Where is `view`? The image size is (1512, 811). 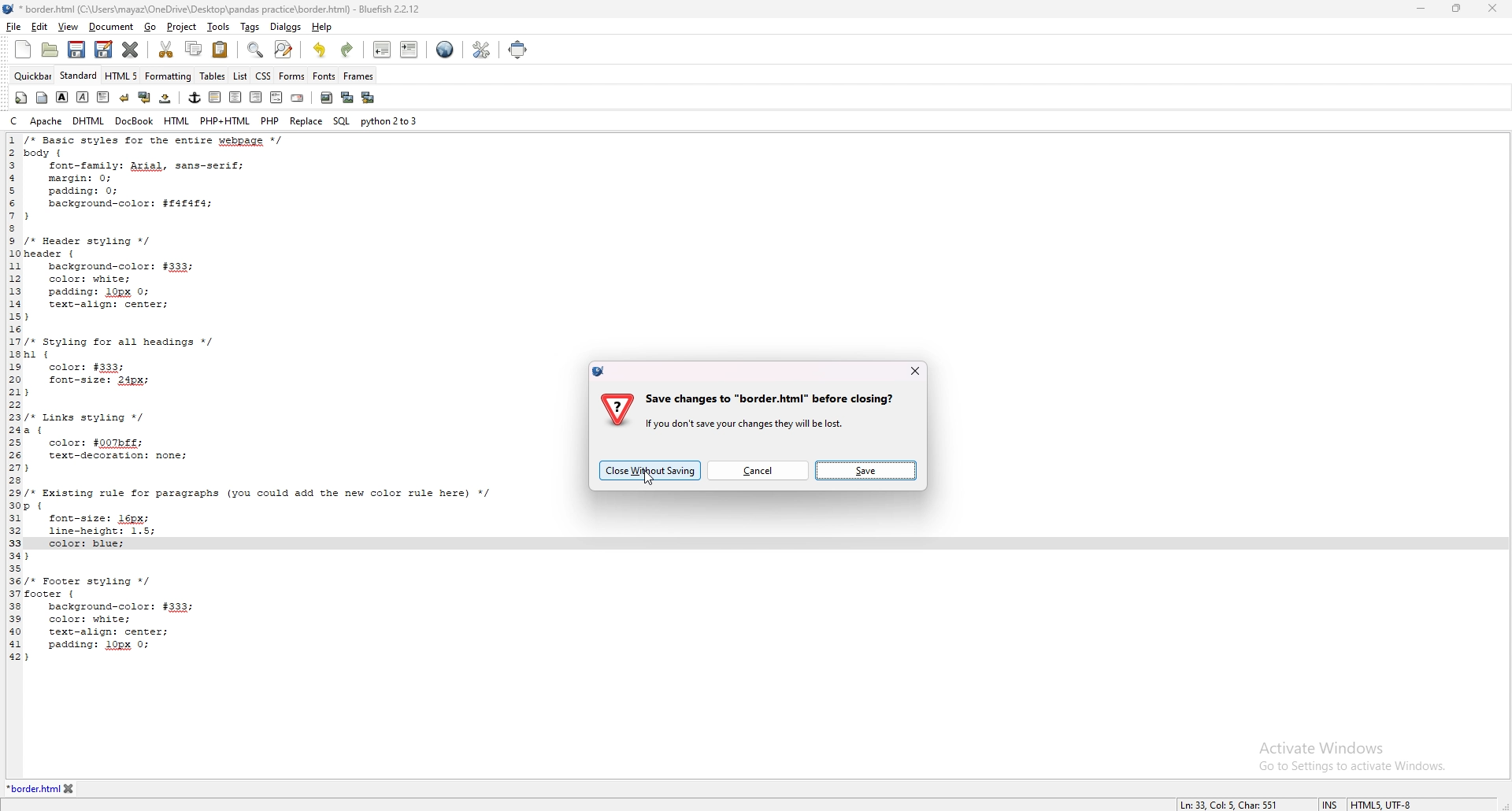 view is located at coordinates (70, 26).